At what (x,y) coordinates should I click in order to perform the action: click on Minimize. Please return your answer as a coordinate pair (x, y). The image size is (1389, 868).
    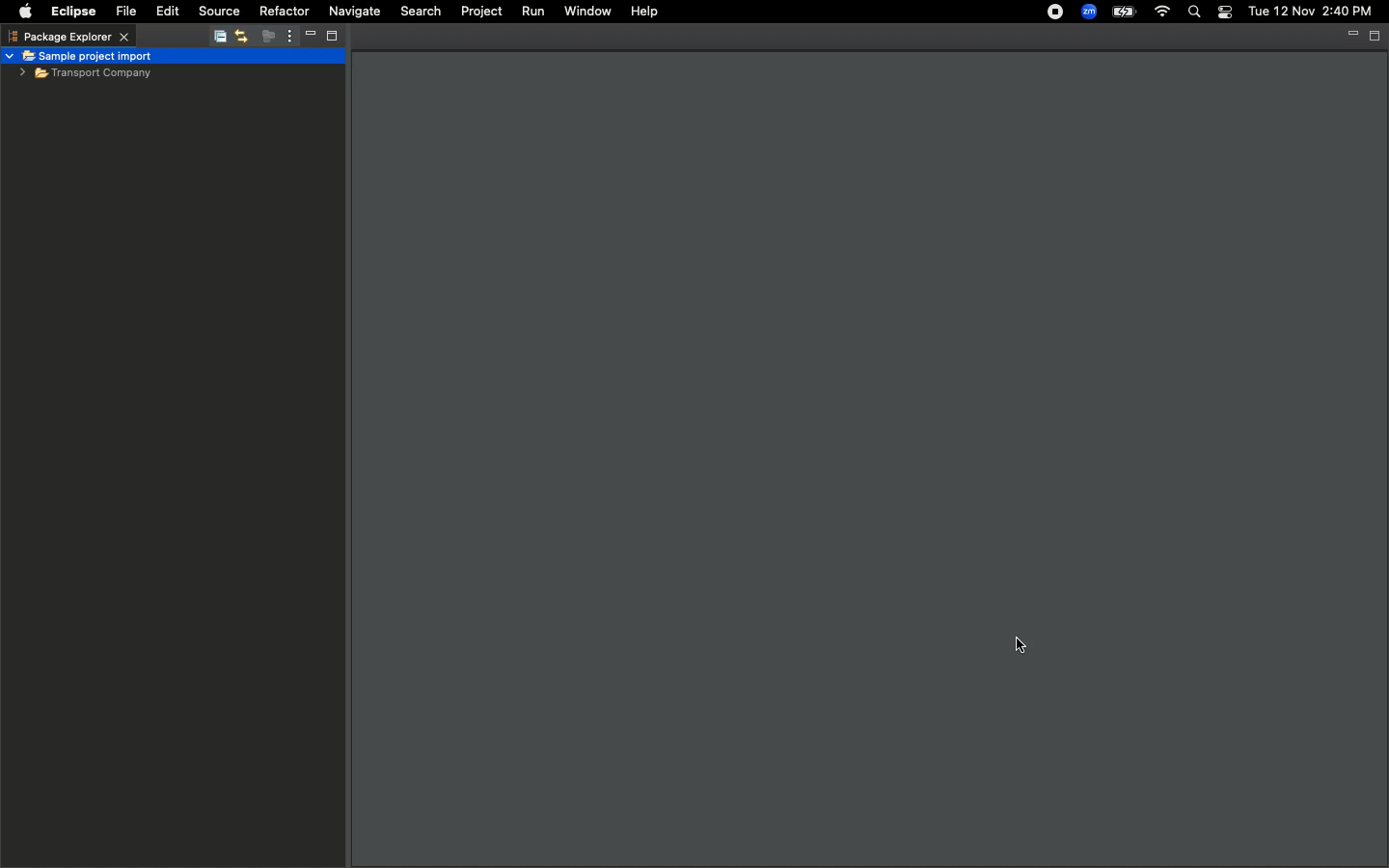
    Looking at the image, I should click on (1350, 35).